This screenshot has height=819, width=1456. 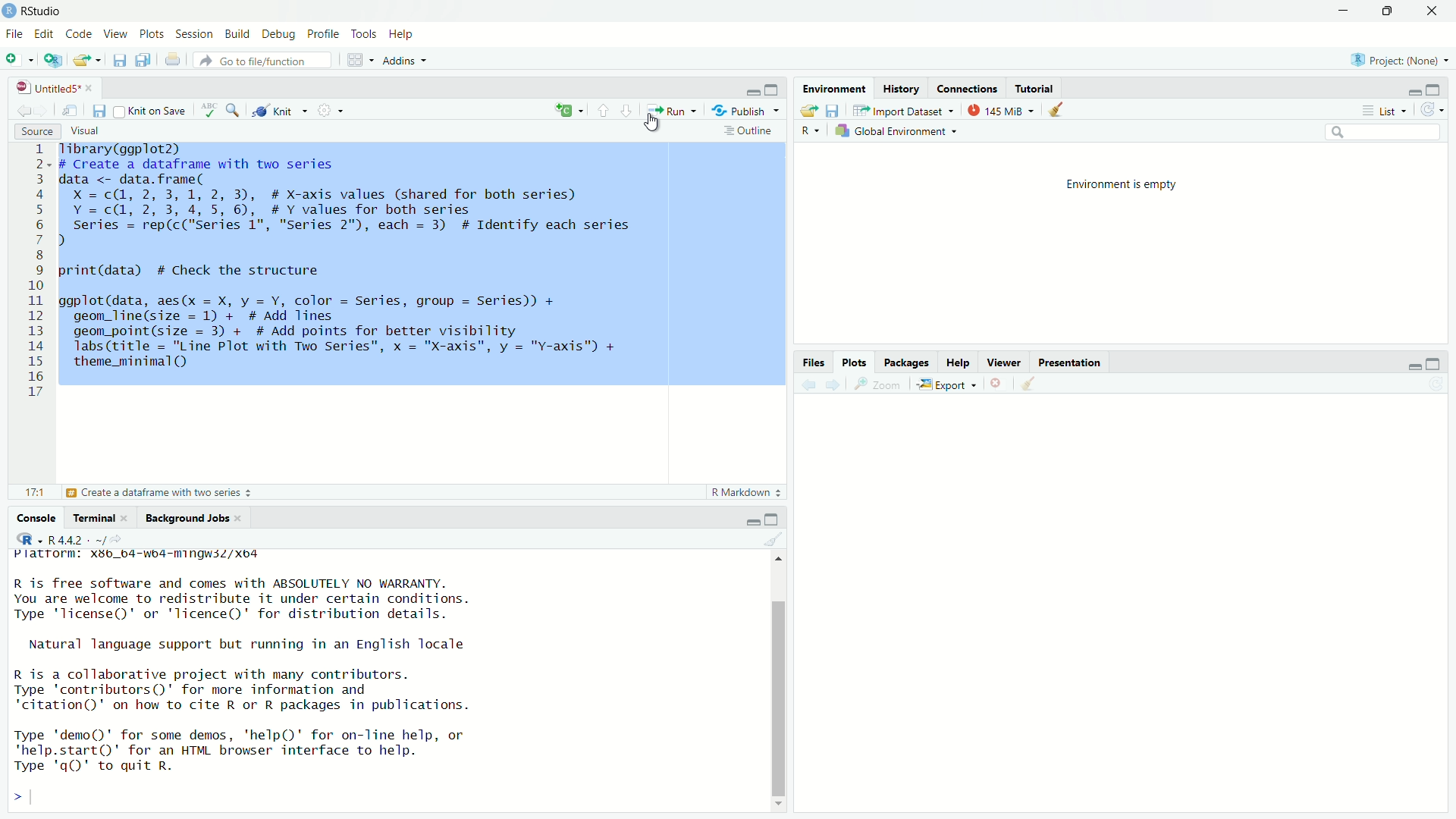 What do you see at coordinates (1033, 87) in the screenshot?
I see `Tutorial` at bounding box center [1033, 87].